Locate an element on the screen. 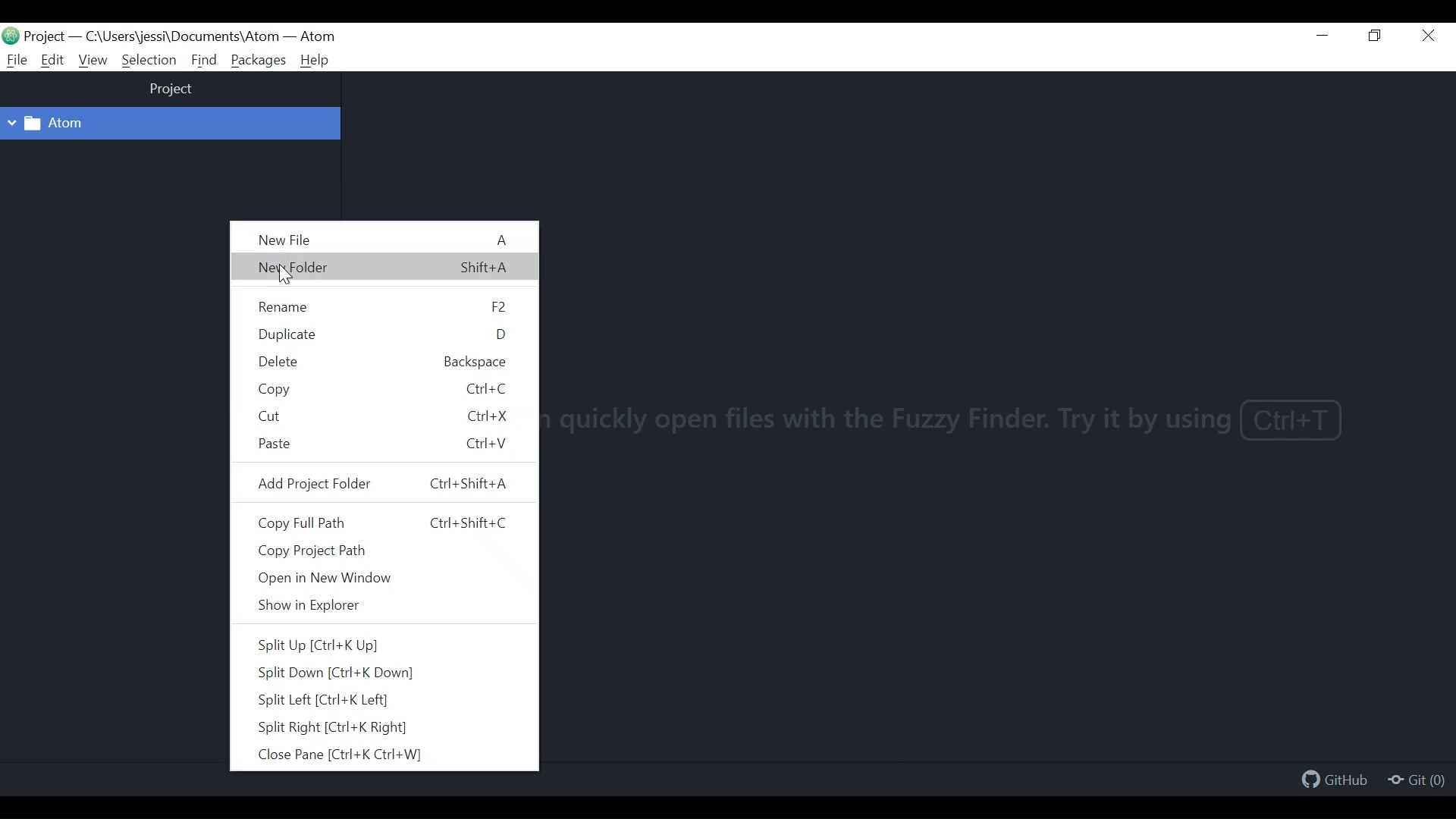 The image size is (1456, 819). Split Up is located at coordinates (322, 645).